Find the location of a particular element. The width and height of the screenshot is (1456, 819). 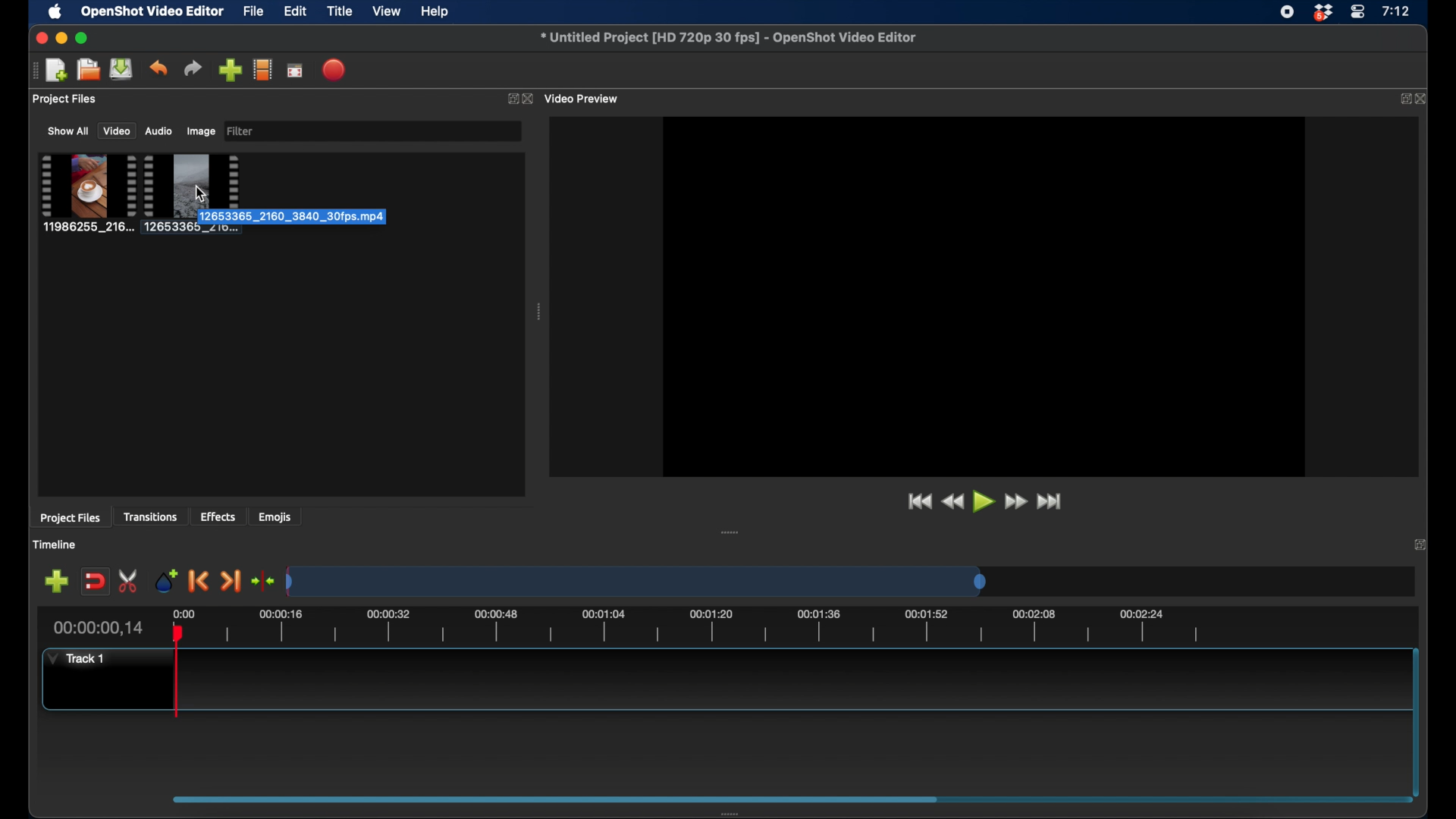

add track is located at coordinates (58, 580).